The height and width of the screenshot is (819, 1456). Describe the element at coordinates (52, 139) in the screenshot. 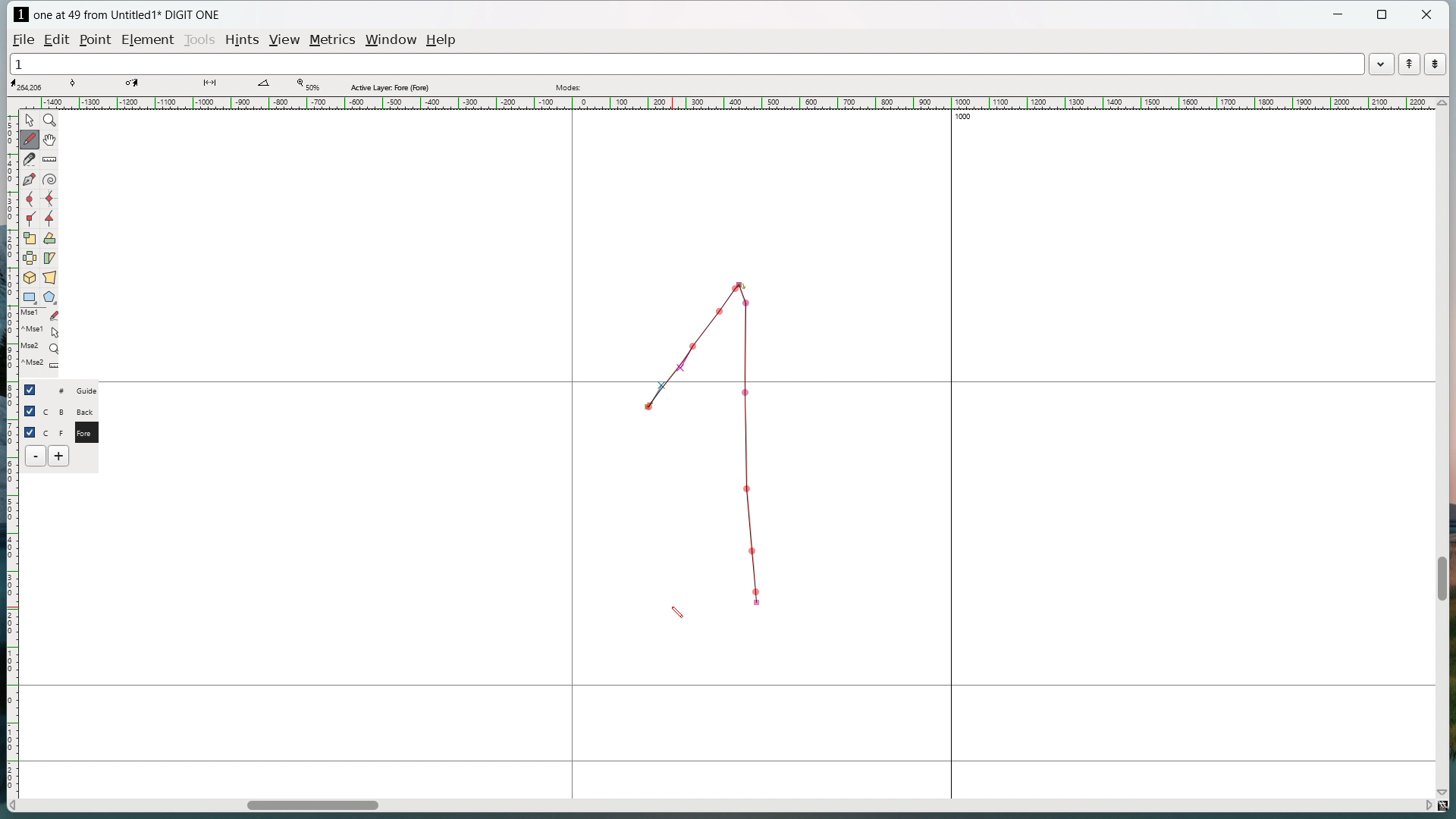

I see `scroll by hand` at that location.